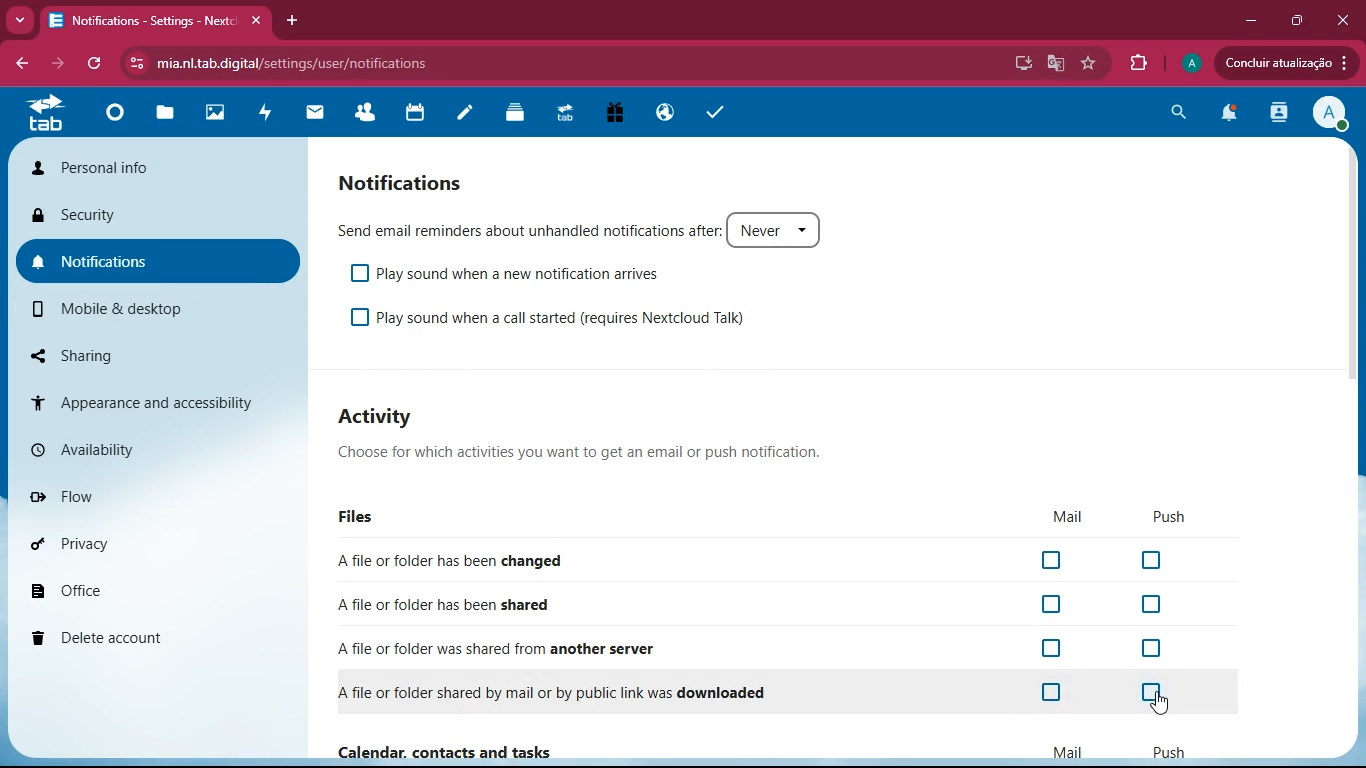  I want to click on off, so click(1152, 697).